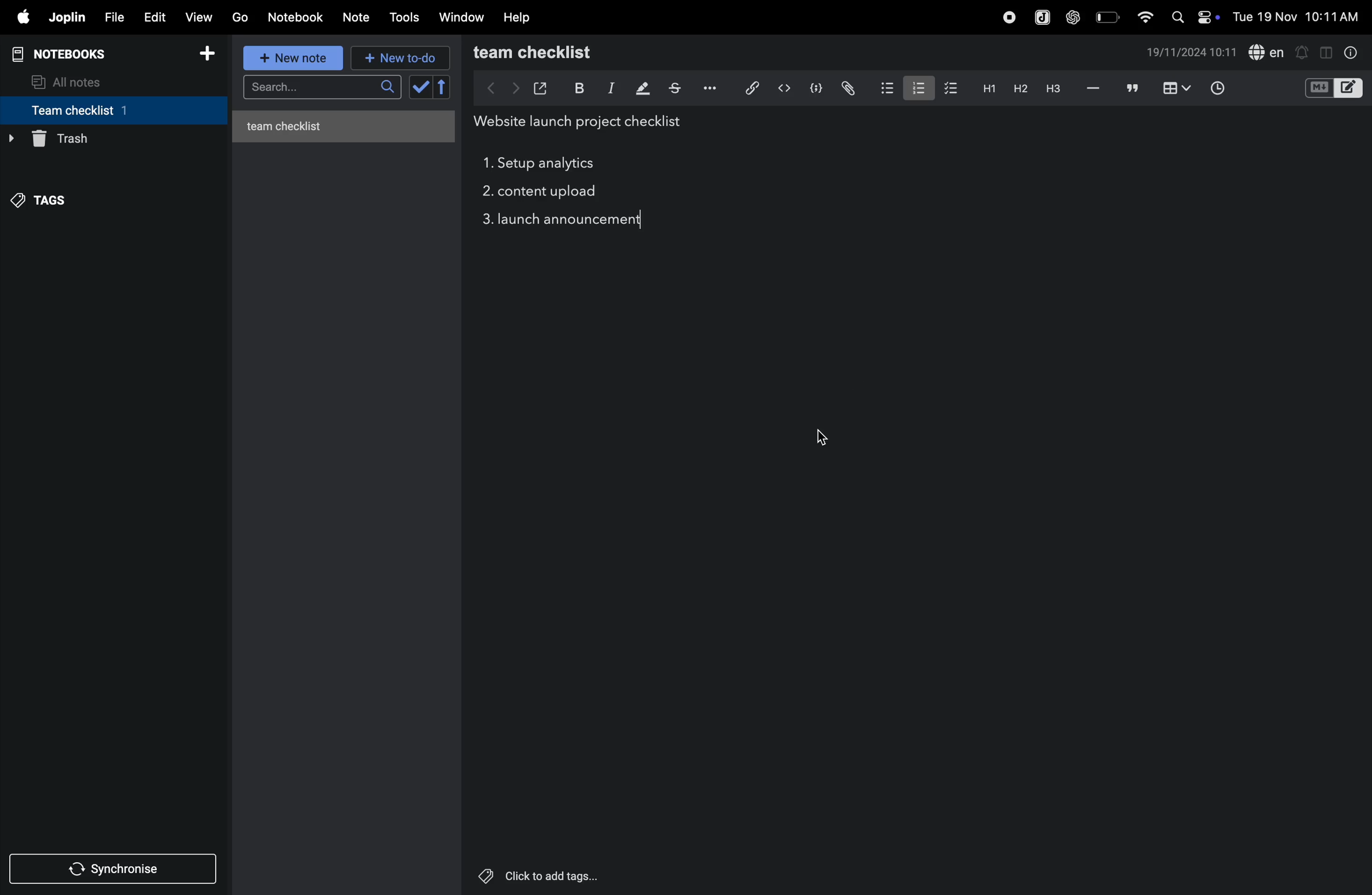 This screenshot has height=895, width=1372. What do you see at coordinates (1039, 16) in the screenshot?
I see `joplin` at bounding box center [1039, 16].